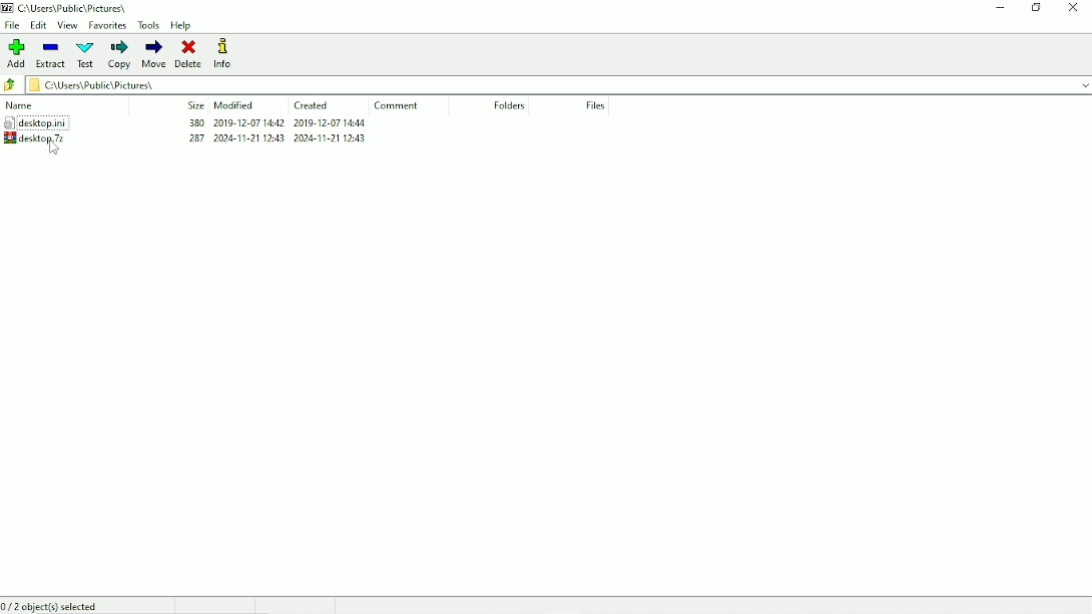  Describe the element at coordinates (1075, 8) in the screenshot. I see `Close` at that location.